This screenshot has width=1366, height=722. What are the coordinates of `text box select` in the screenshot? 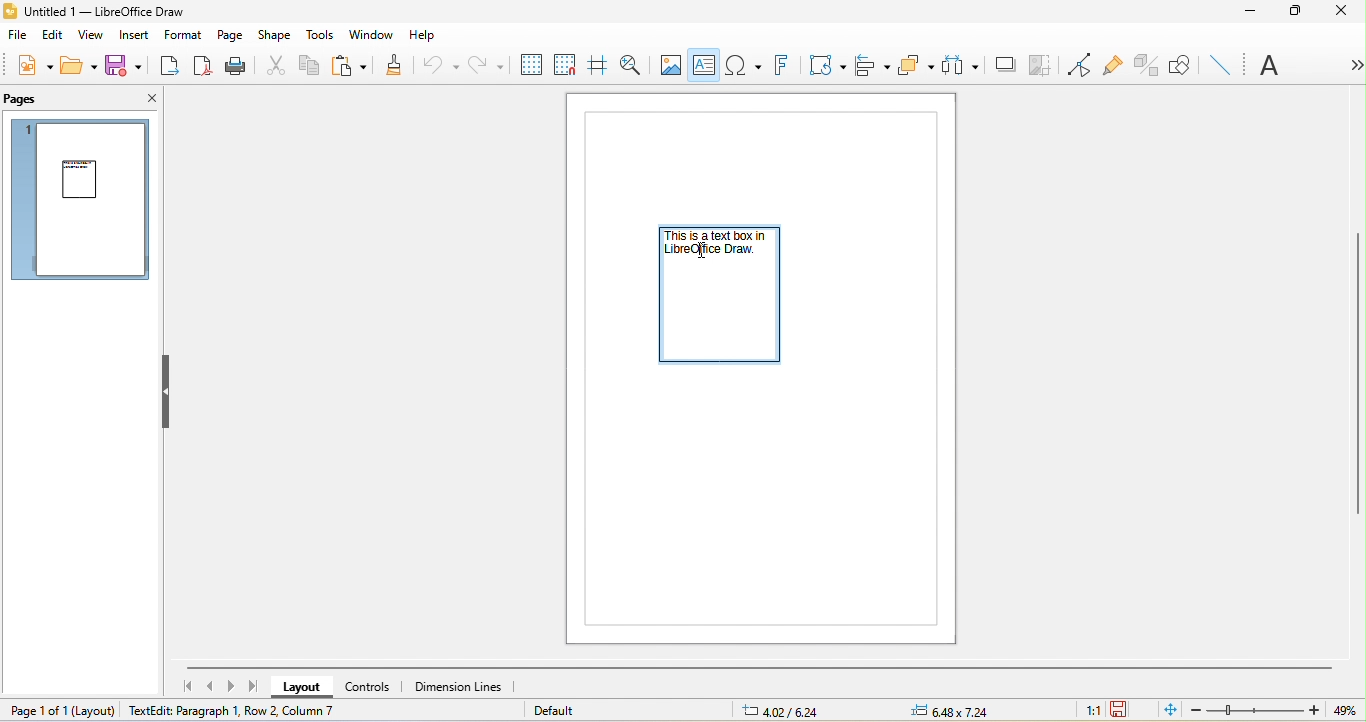 It's located at (721, 297).